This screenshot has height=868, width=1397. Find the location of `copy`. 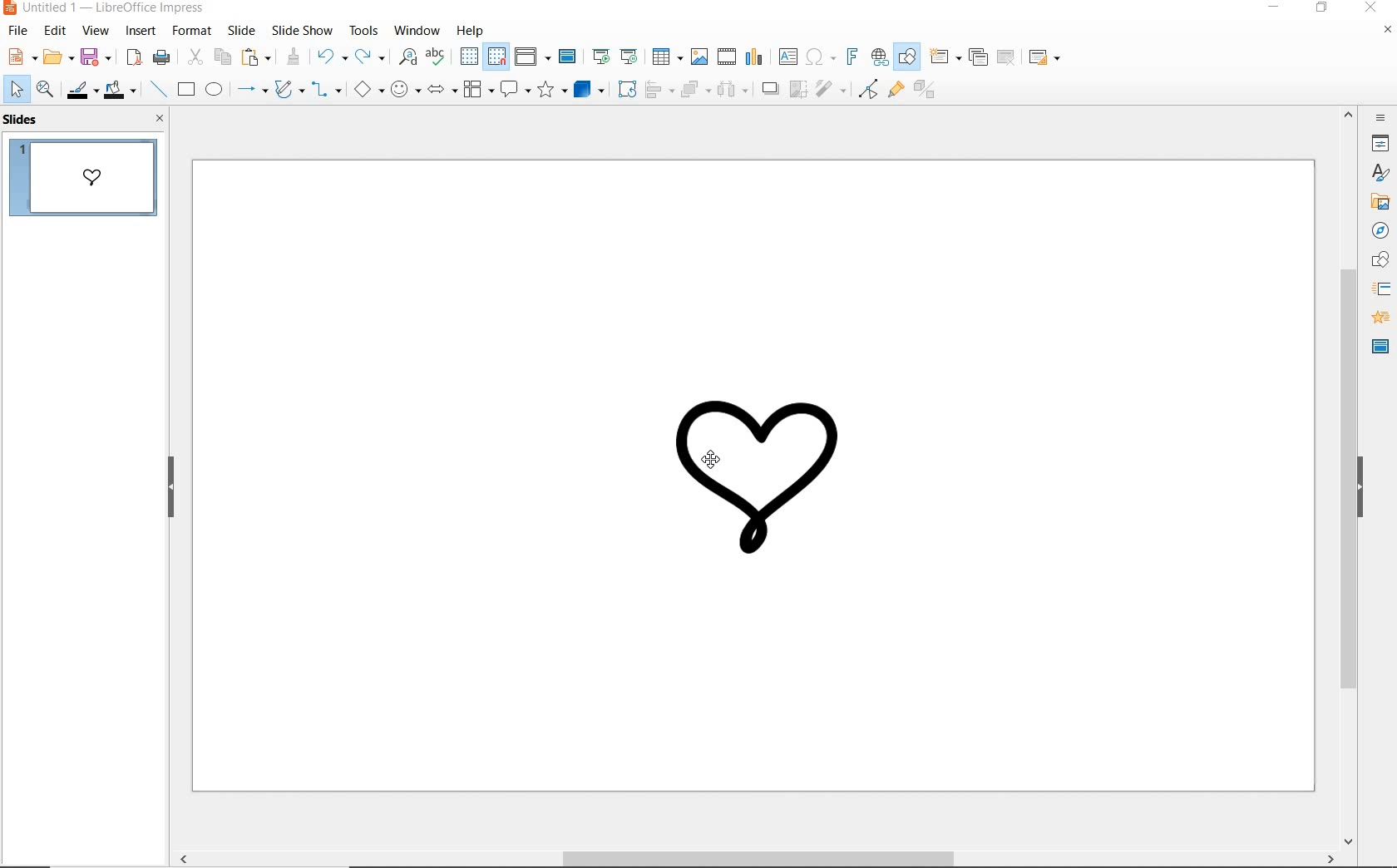

copy is located at coordinates (221, 57).